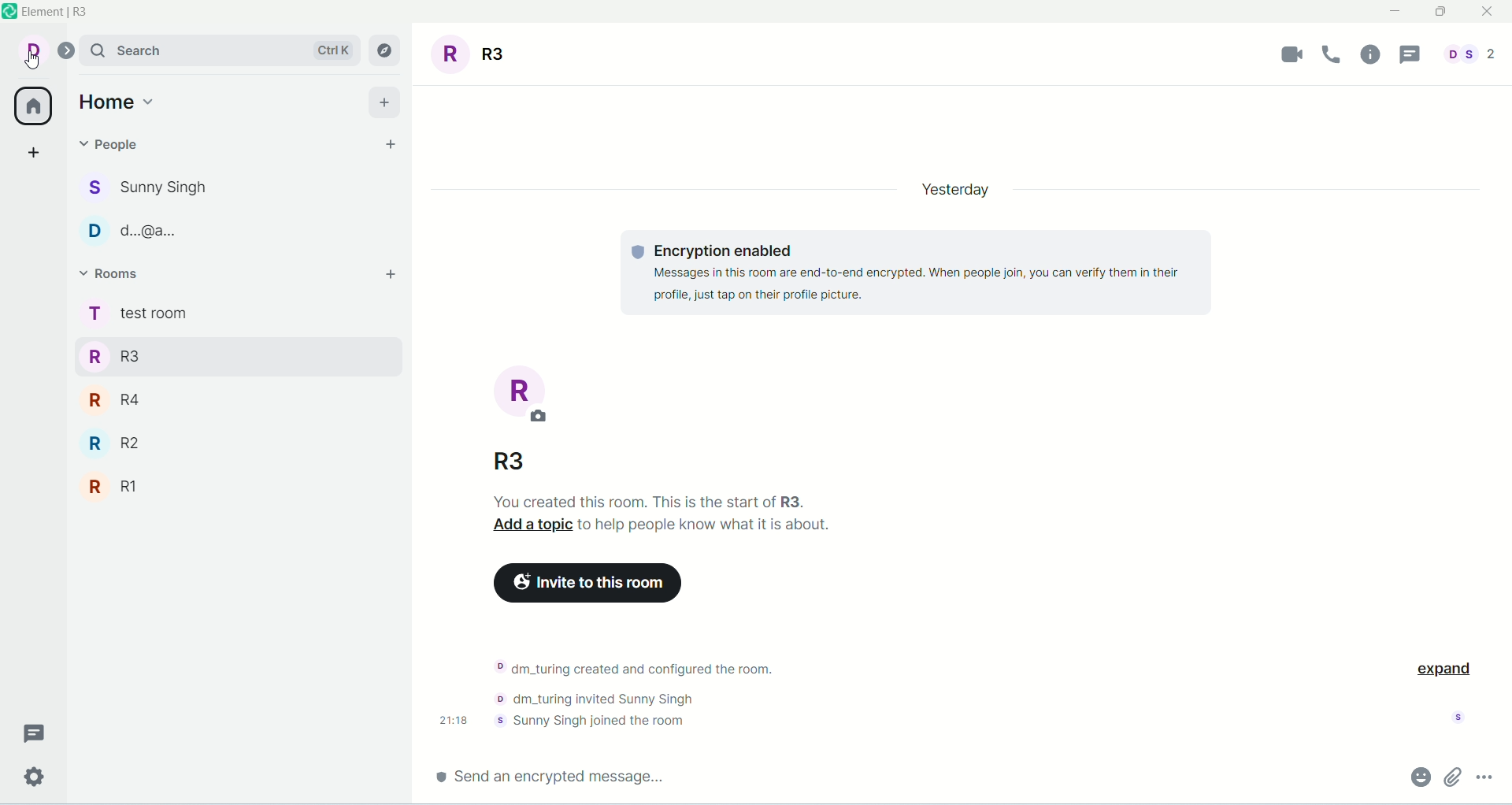 The image size is (1512, 805). Describe the element at coordinates (9, 14) in the screenshot. I see `logo` at that location.